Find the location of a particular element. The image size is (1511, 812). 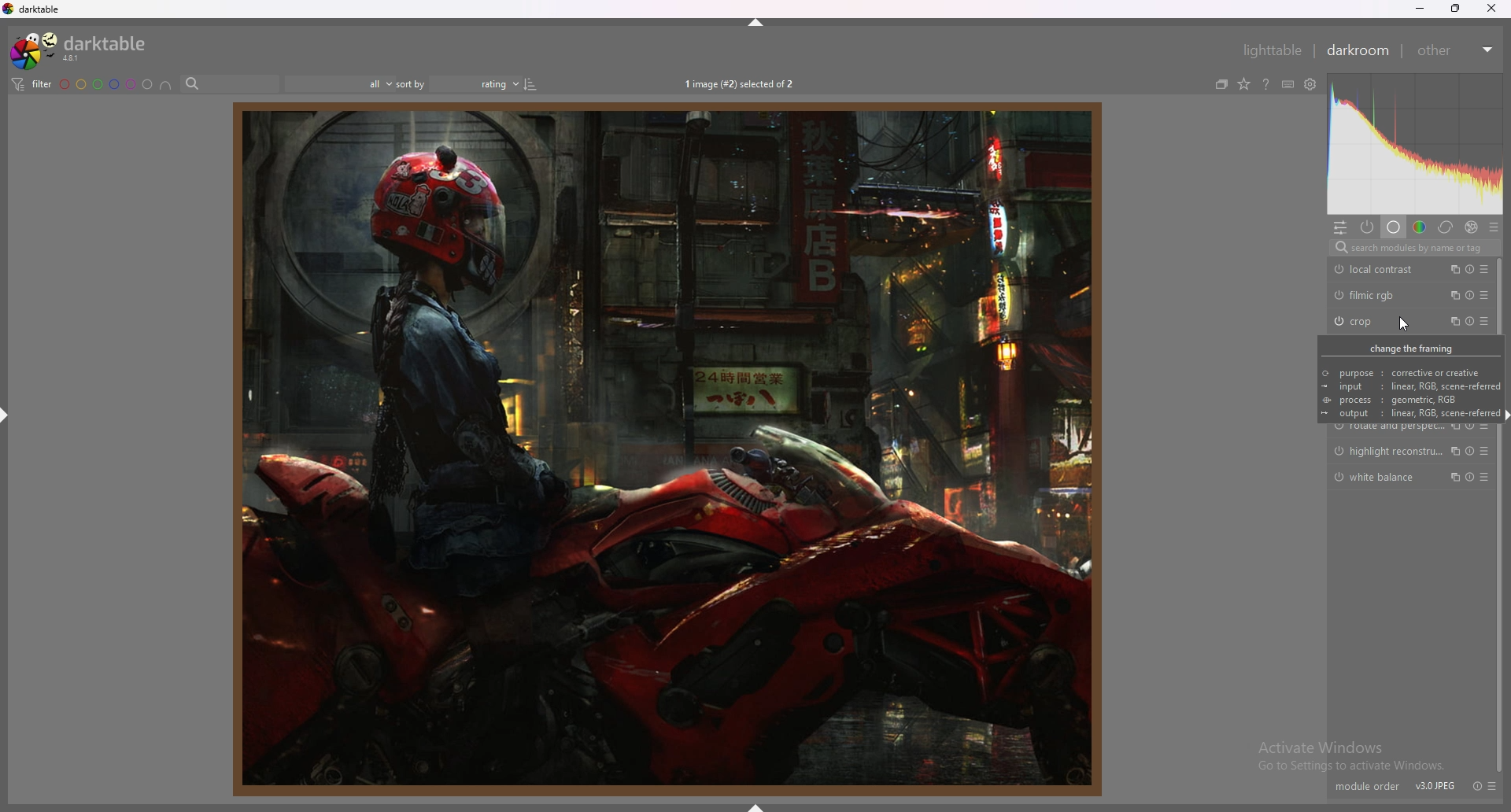

include color labels is located at coordinates (166, 84).